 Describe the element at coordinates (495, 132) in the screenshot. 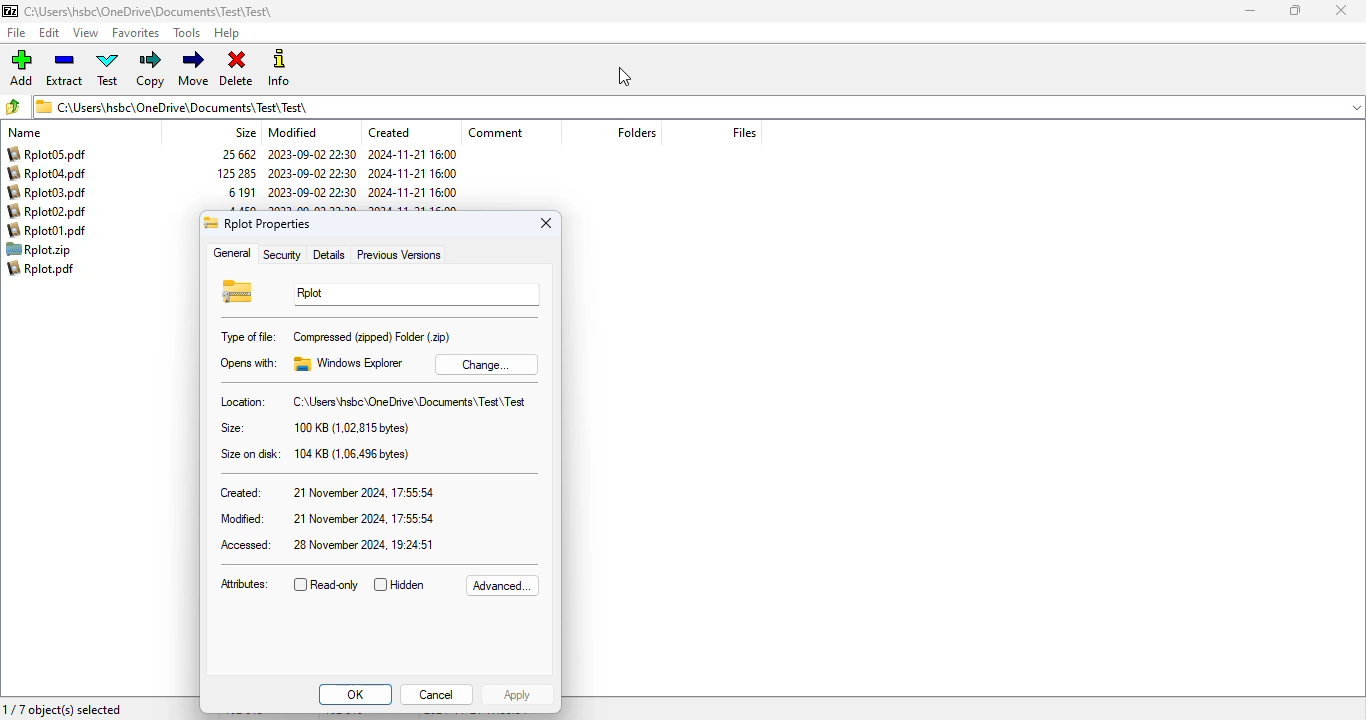

I see `comment` at that location.